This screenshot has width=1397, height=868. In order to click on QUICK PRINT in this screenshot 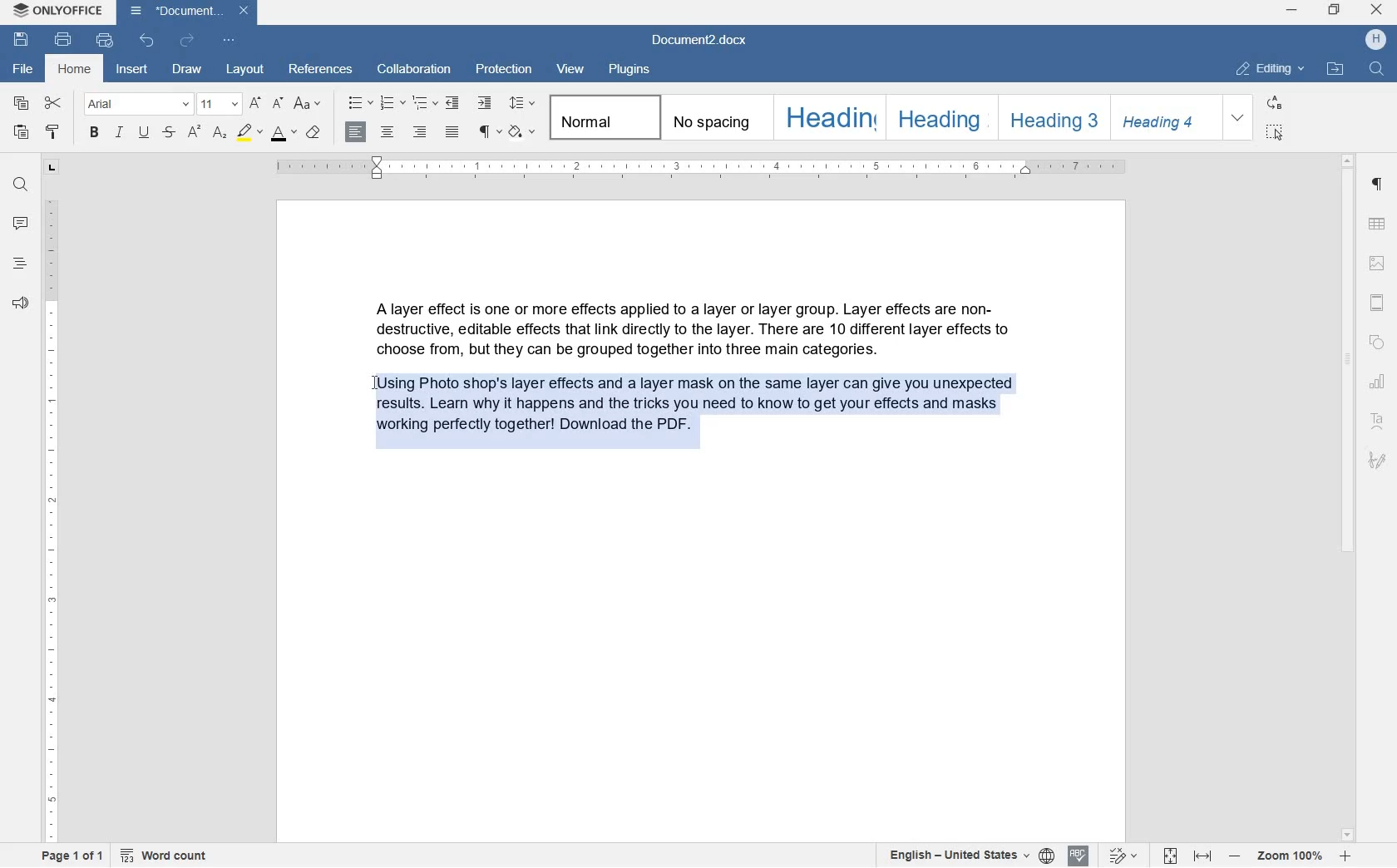, I will do `click(105, 39)`.